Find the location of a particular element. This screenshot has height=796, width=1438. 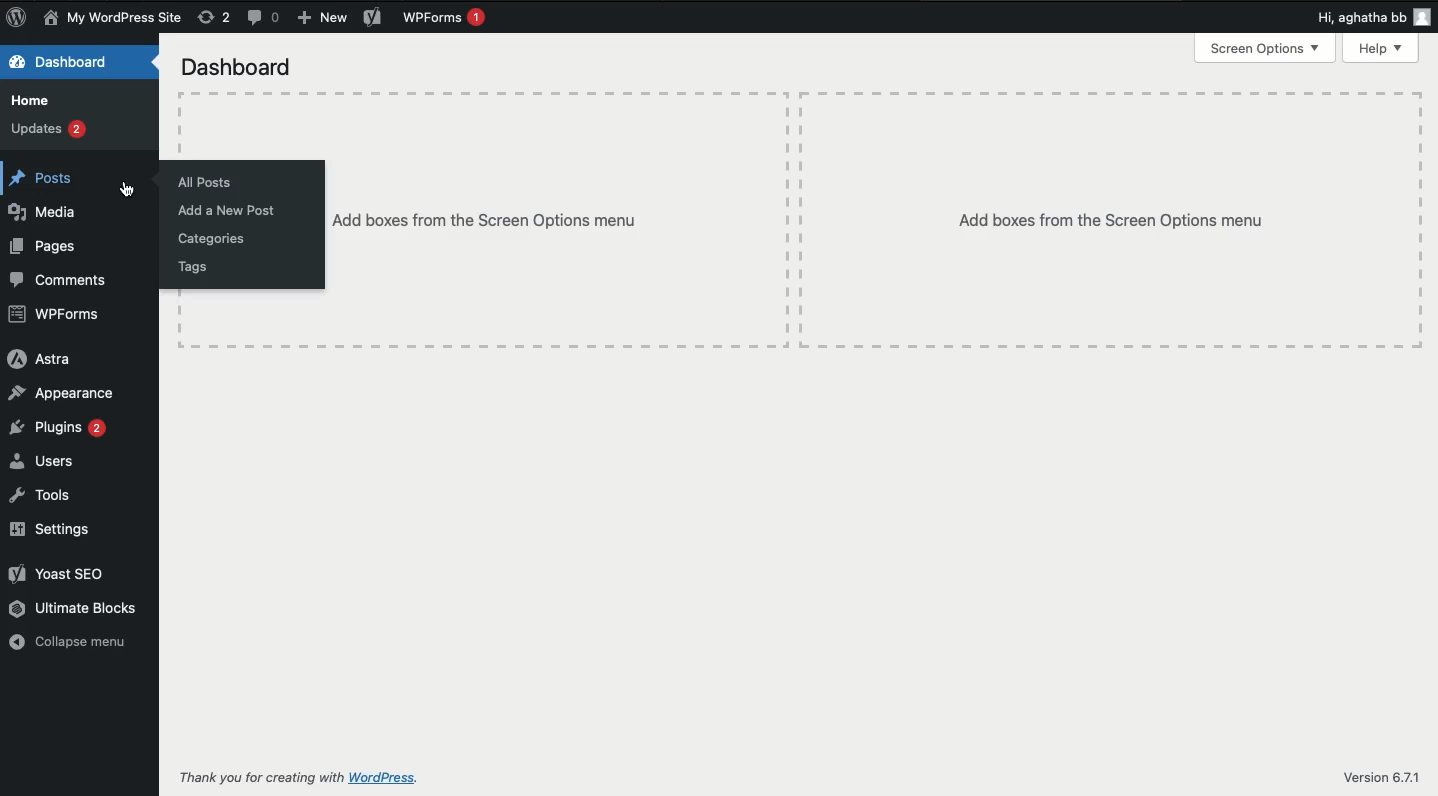

Astra is located at coordinates (38, 359).